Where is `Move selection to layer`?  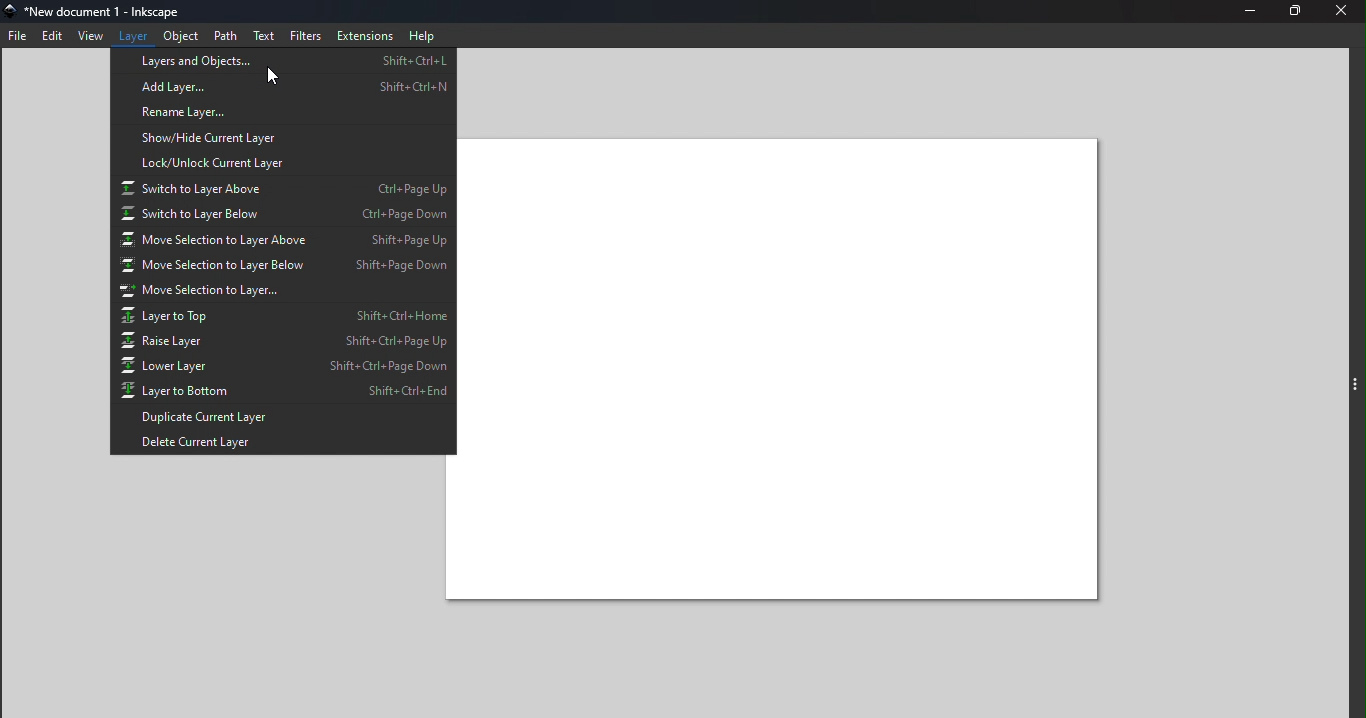 Move selection to layer is located at coordinates (283, 292).